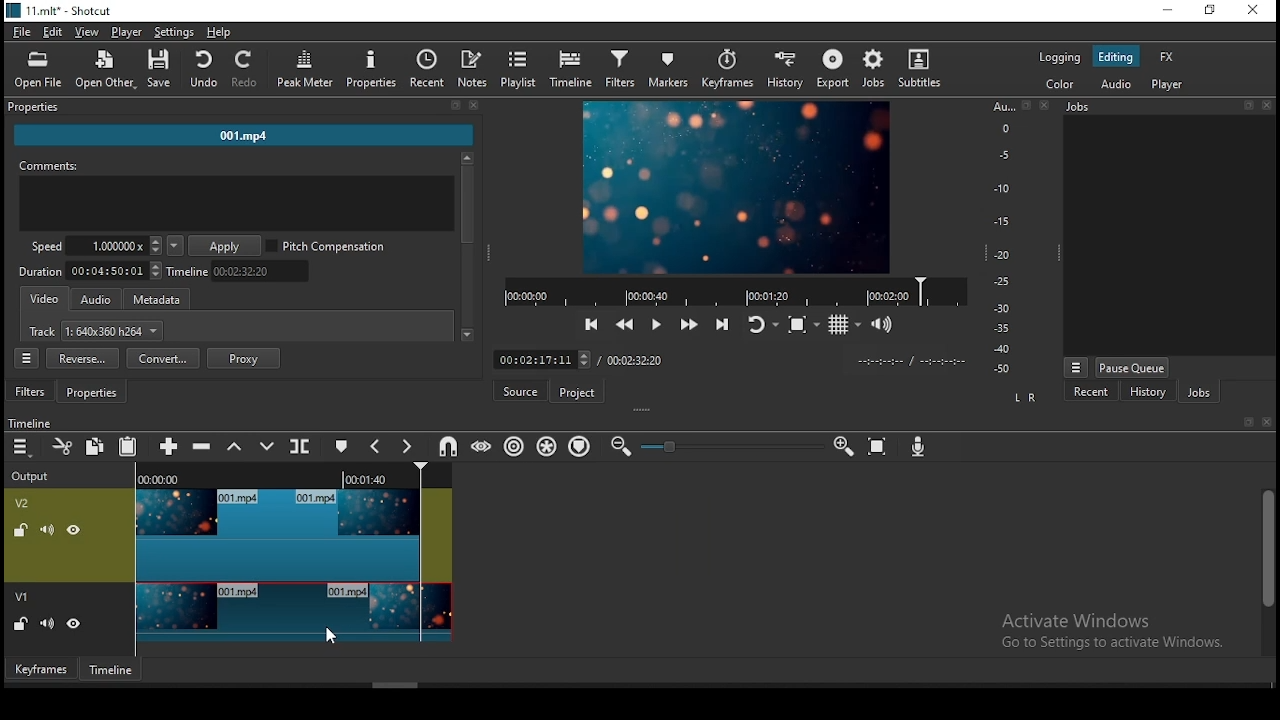 This screenshot has width=1280, height=720. What do you see at coordinates (911, 361) in the screenshot?
I see `TIME` at bounding box center [911, 361].